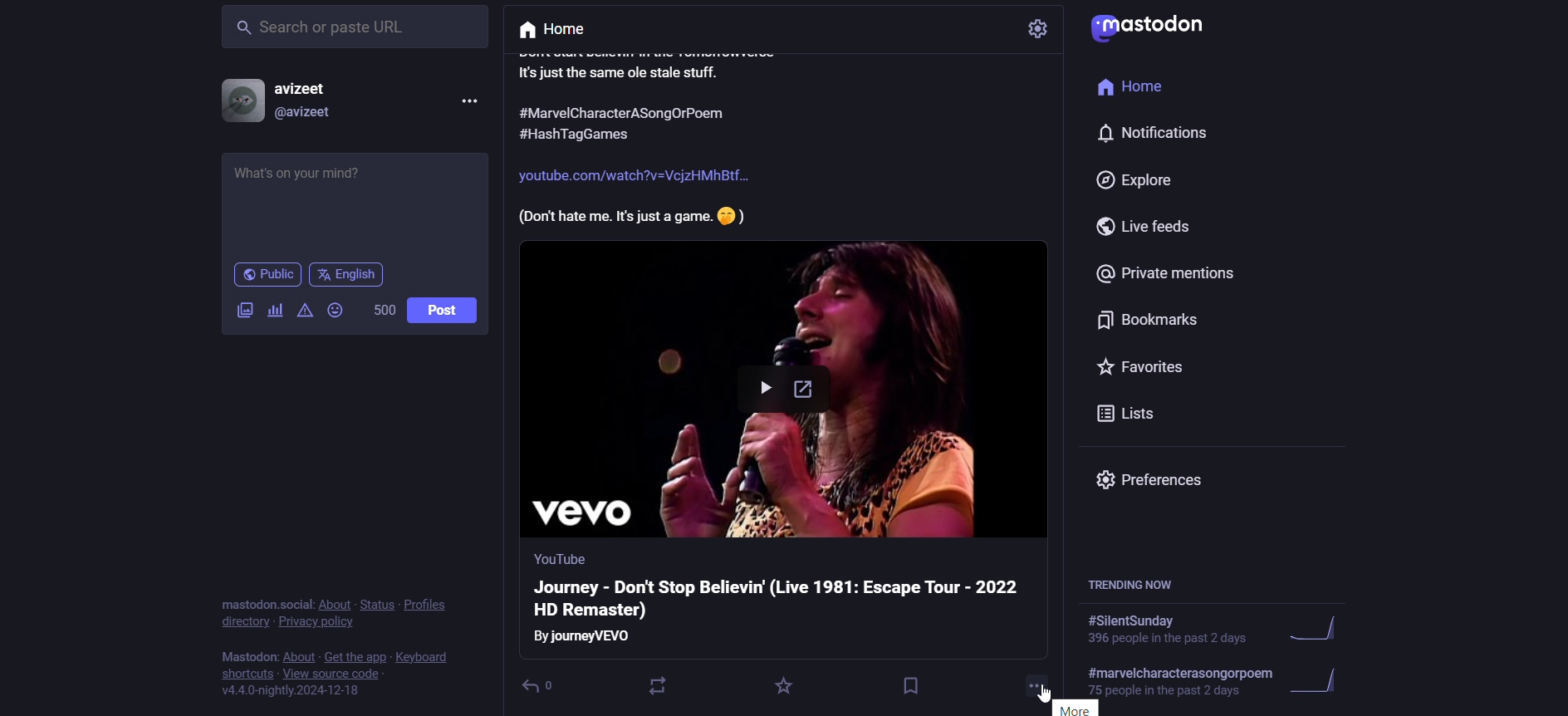 This screenshot has height=716, width=1568. Describe the element at coordinates (556, 558) in the screenshot. I see `` at that location.